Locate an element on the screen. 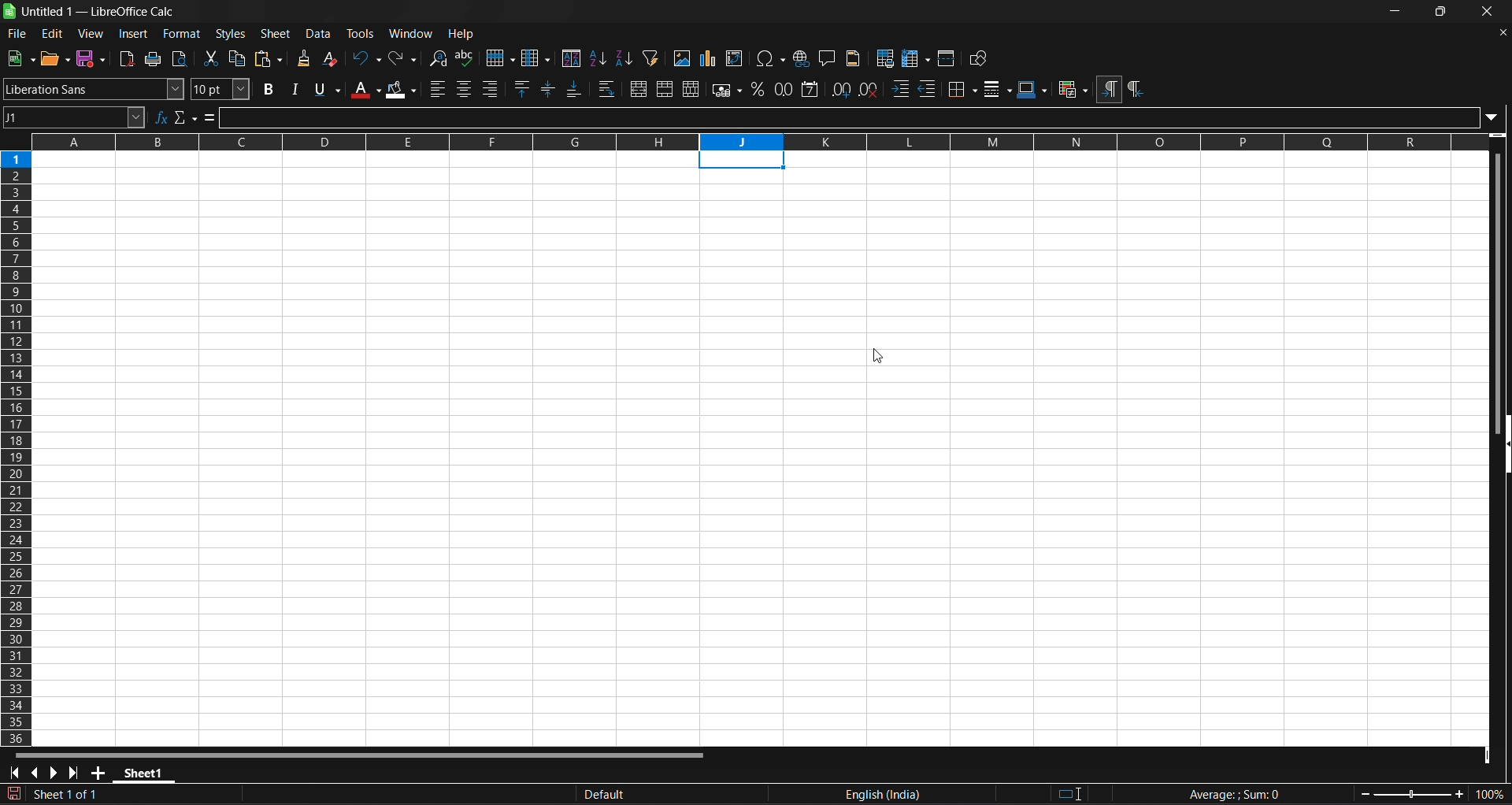  background color is located at coordinates (402, 91).